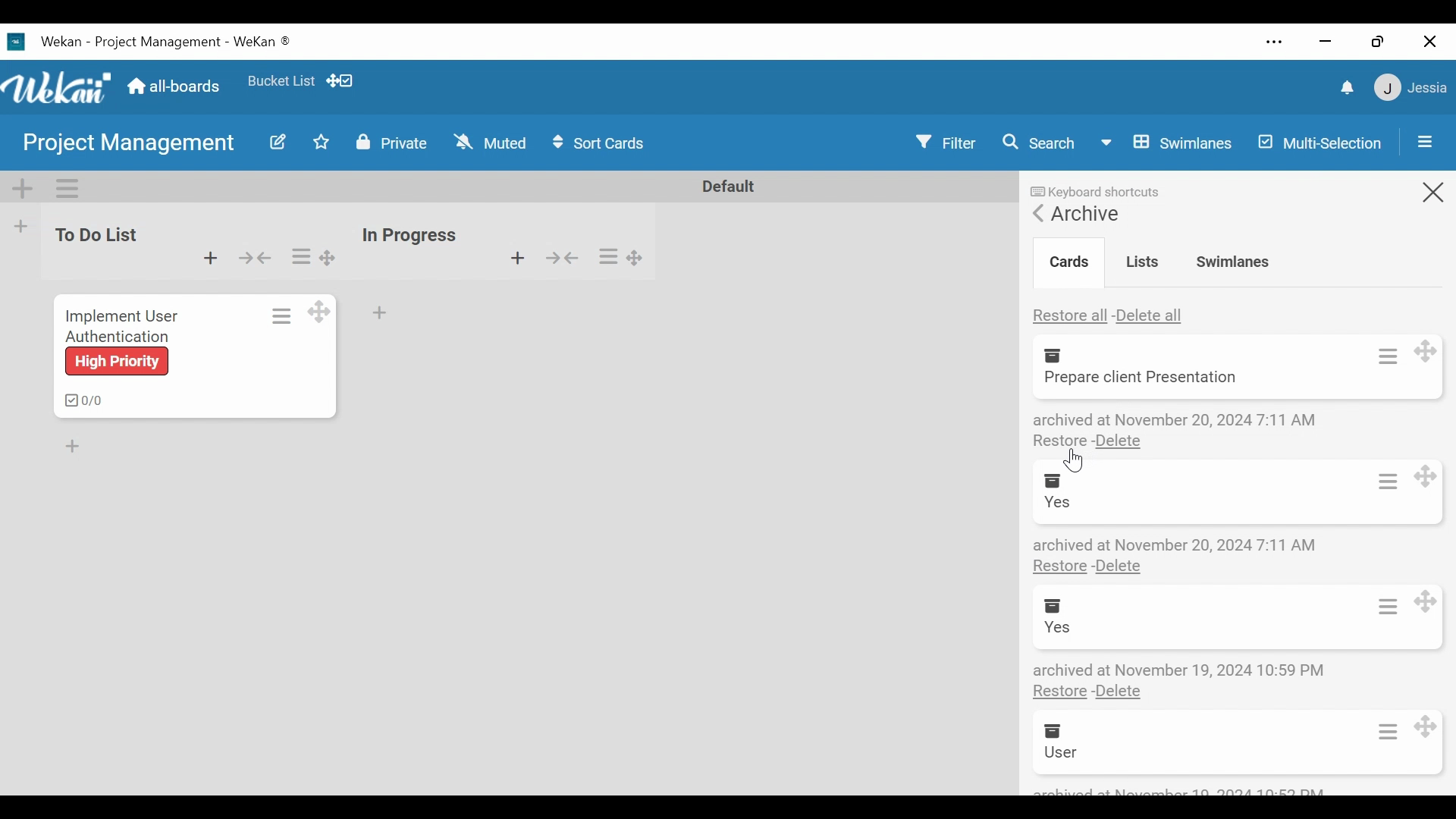 This screenshot has width=1456, height=819. What do you see at coordinates (1048, 730) in the screenshot?
I see `Archive Box ` at bounding box center [1048, 730].